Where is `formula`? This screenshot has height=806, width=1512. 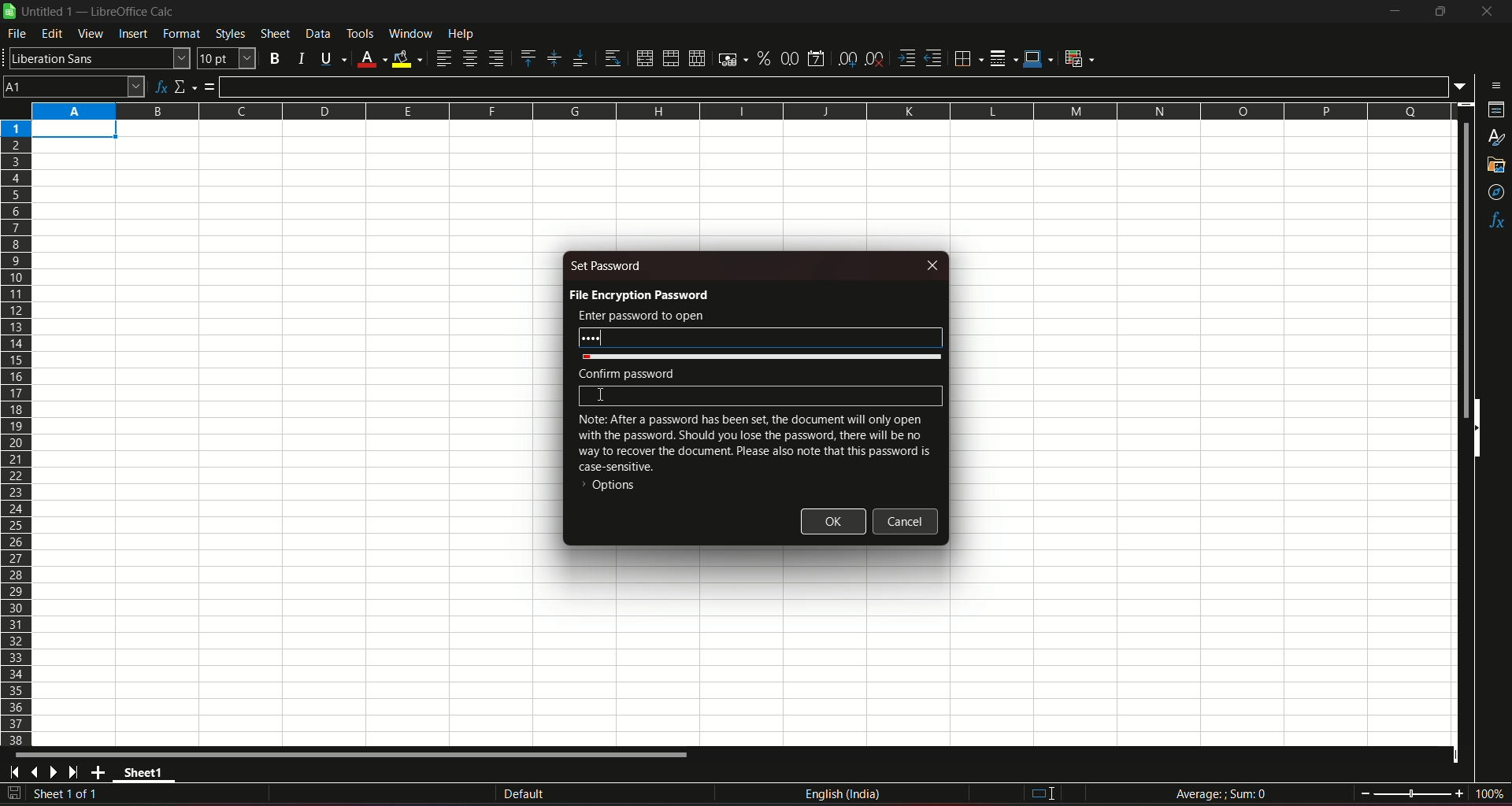 formula is located at coordinates (212, 87).